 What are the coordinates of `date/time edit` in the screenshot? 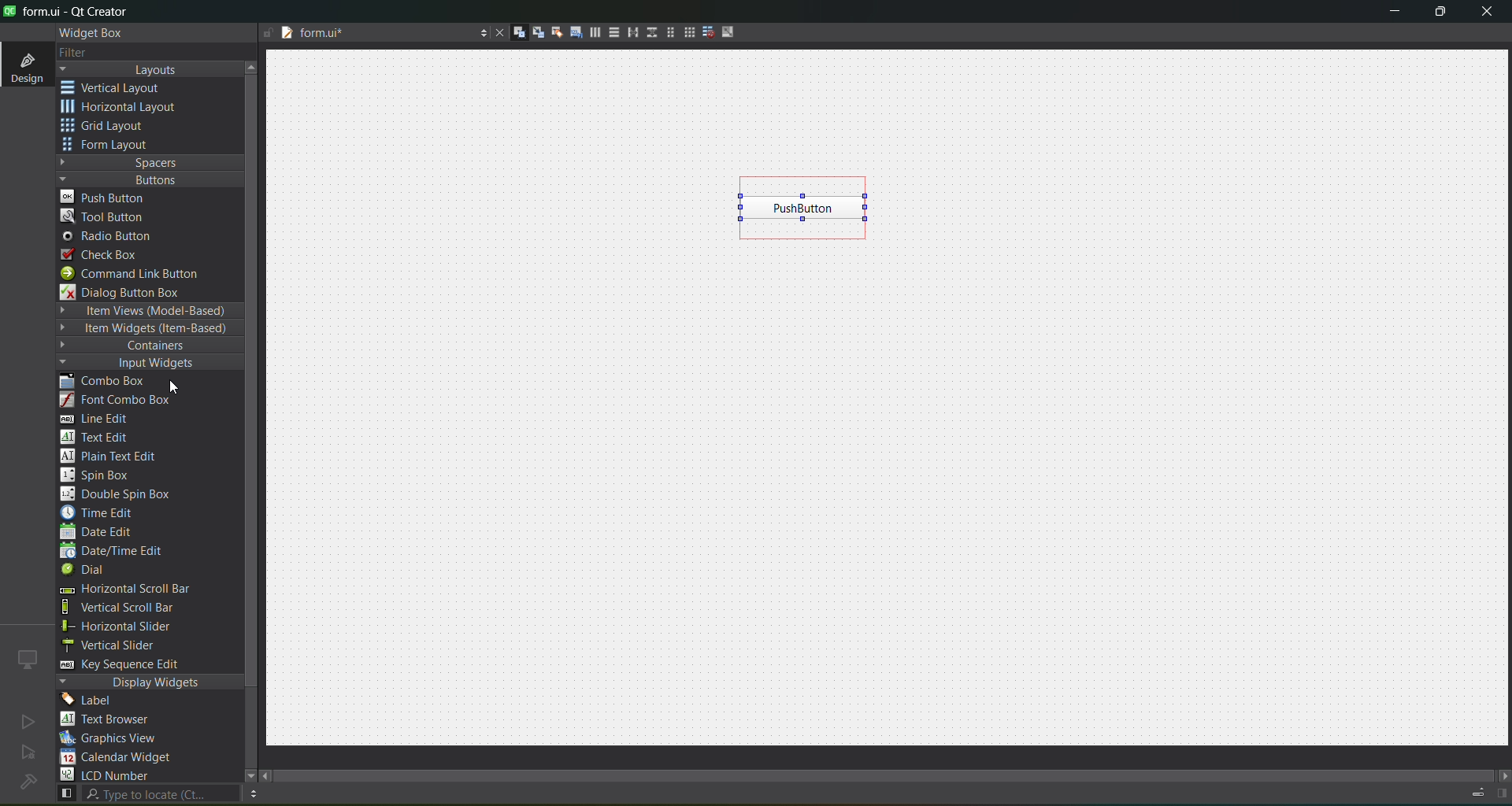 It's located at (126, 552).